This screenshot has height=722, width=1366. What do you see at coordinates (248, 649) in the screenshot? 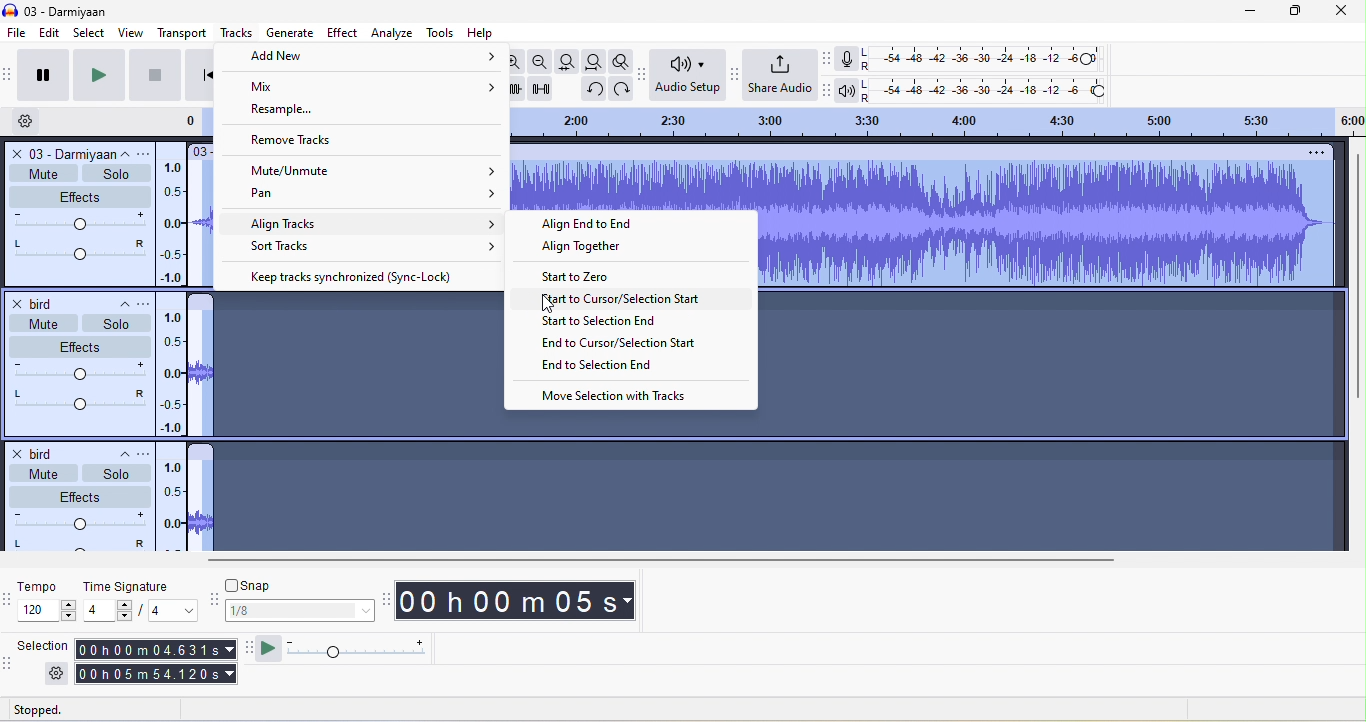
I see `audacity play at speed toolbar` at bounding box center [248, 649].